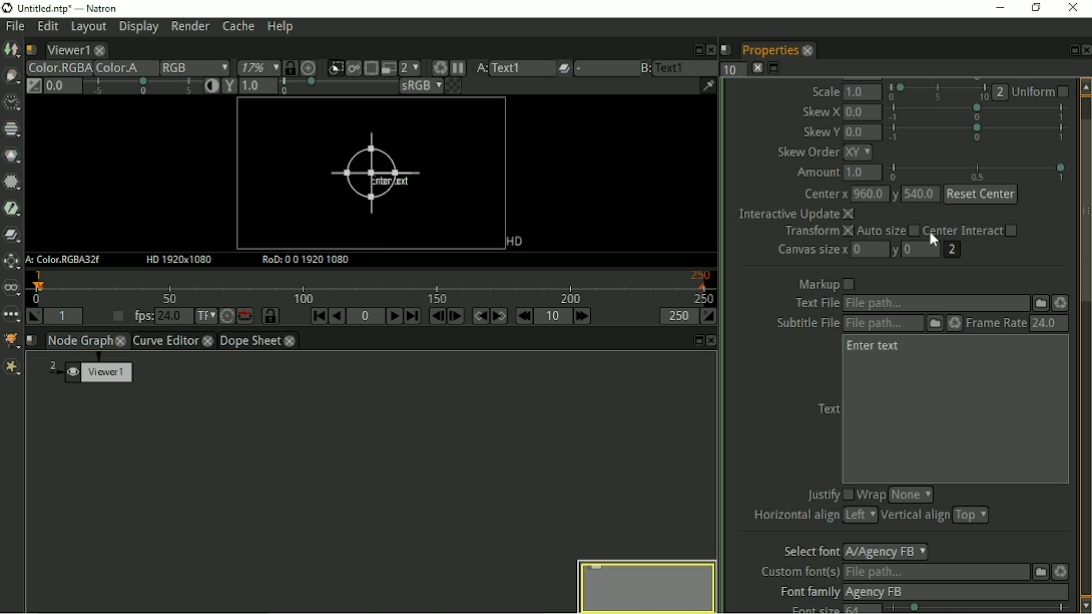 This screenshot has height=614, width=1092. Describe the element at coordinates (245, 316) in the screenshot. I see `Behaviour` at that location.